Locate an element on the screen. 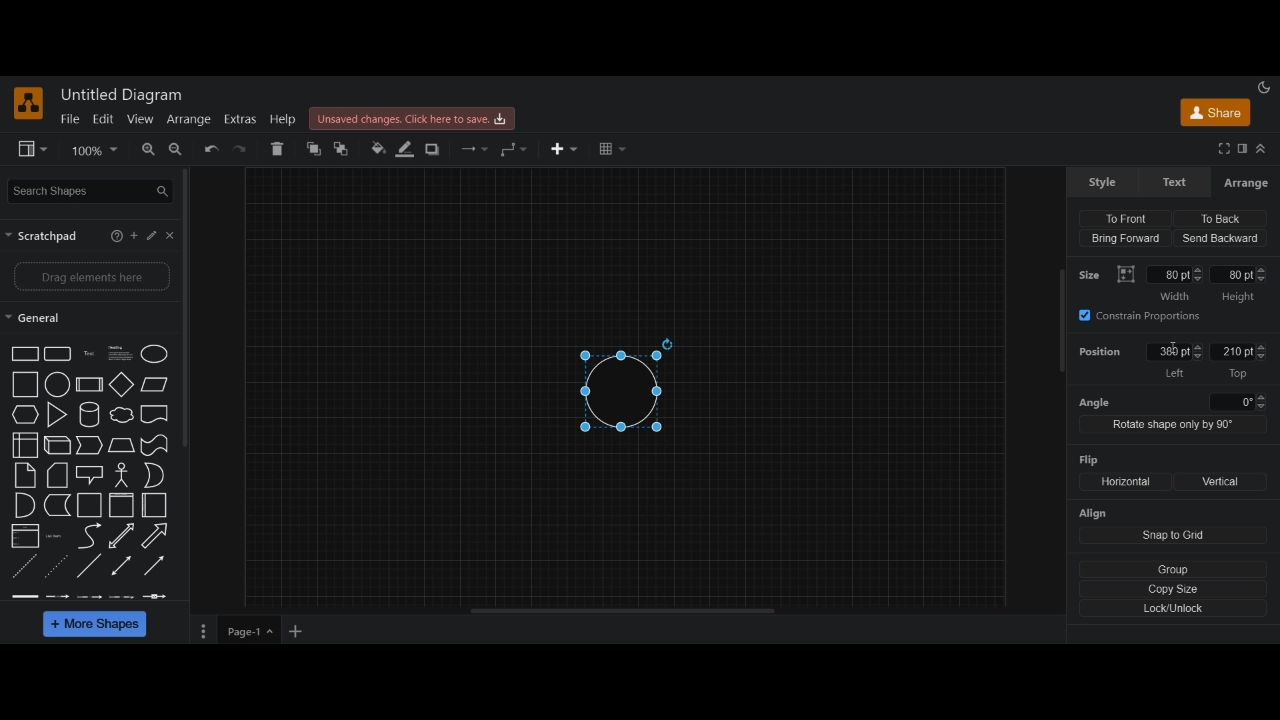 The image size is (1280, 720). lock/unlock is located at coordinates (1175, 609).